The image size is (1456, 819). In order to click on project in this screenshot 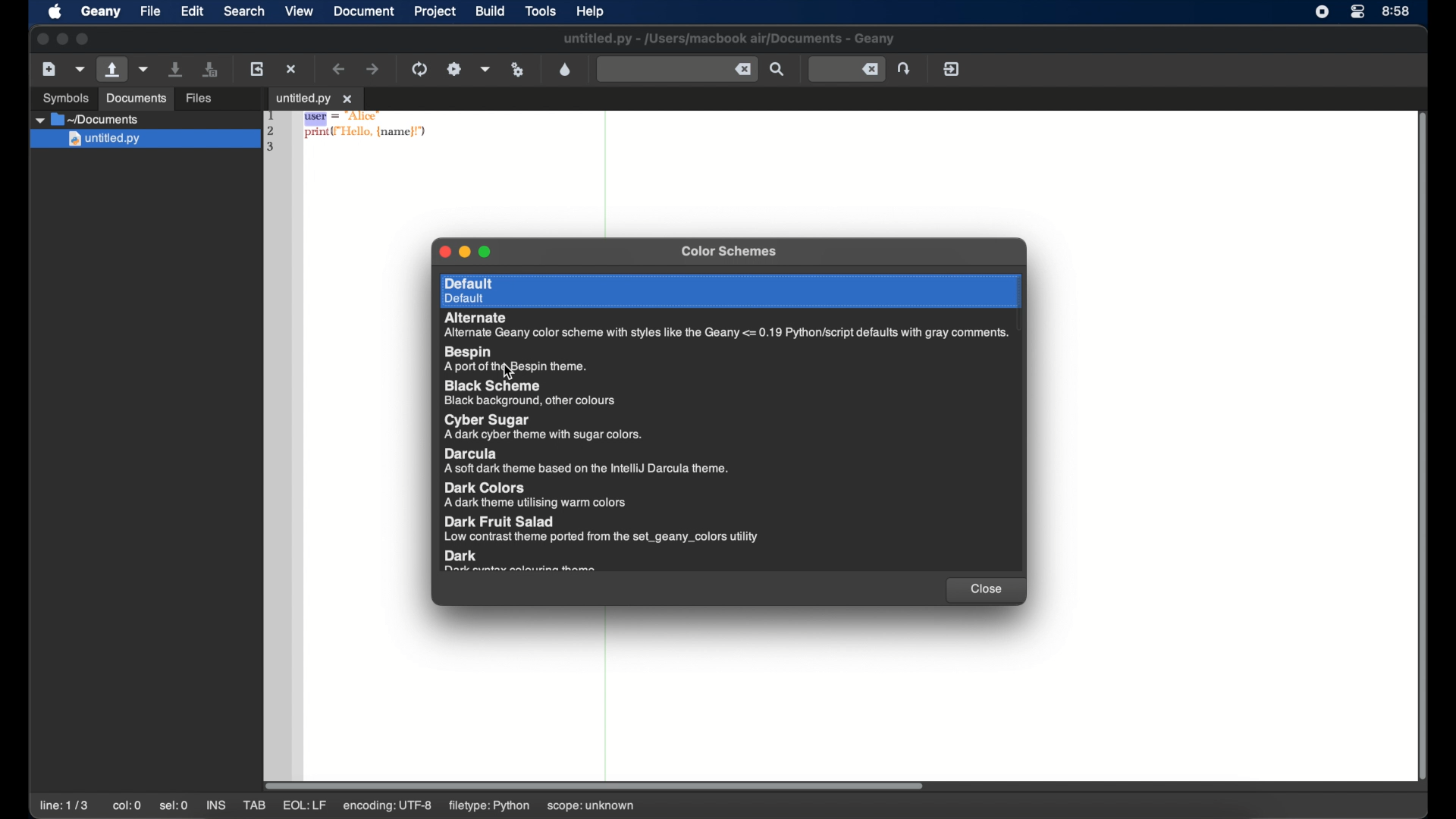, I will do `click(435, 12)`.